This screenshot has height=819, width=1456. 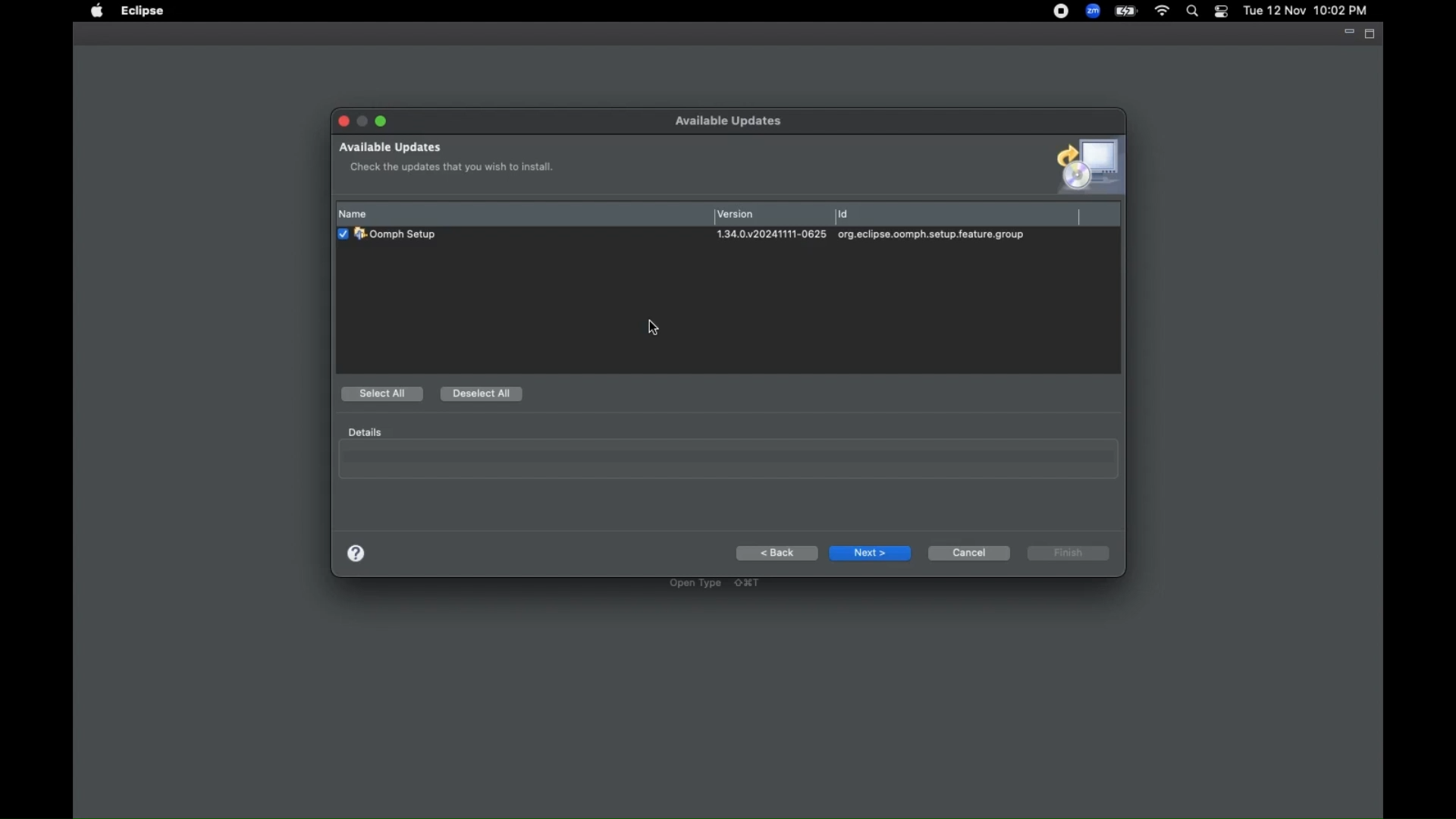 What do you see at coordinates (1371, 33) in the screenshot?
I see `maximize` at bounding box center [1371, 33].